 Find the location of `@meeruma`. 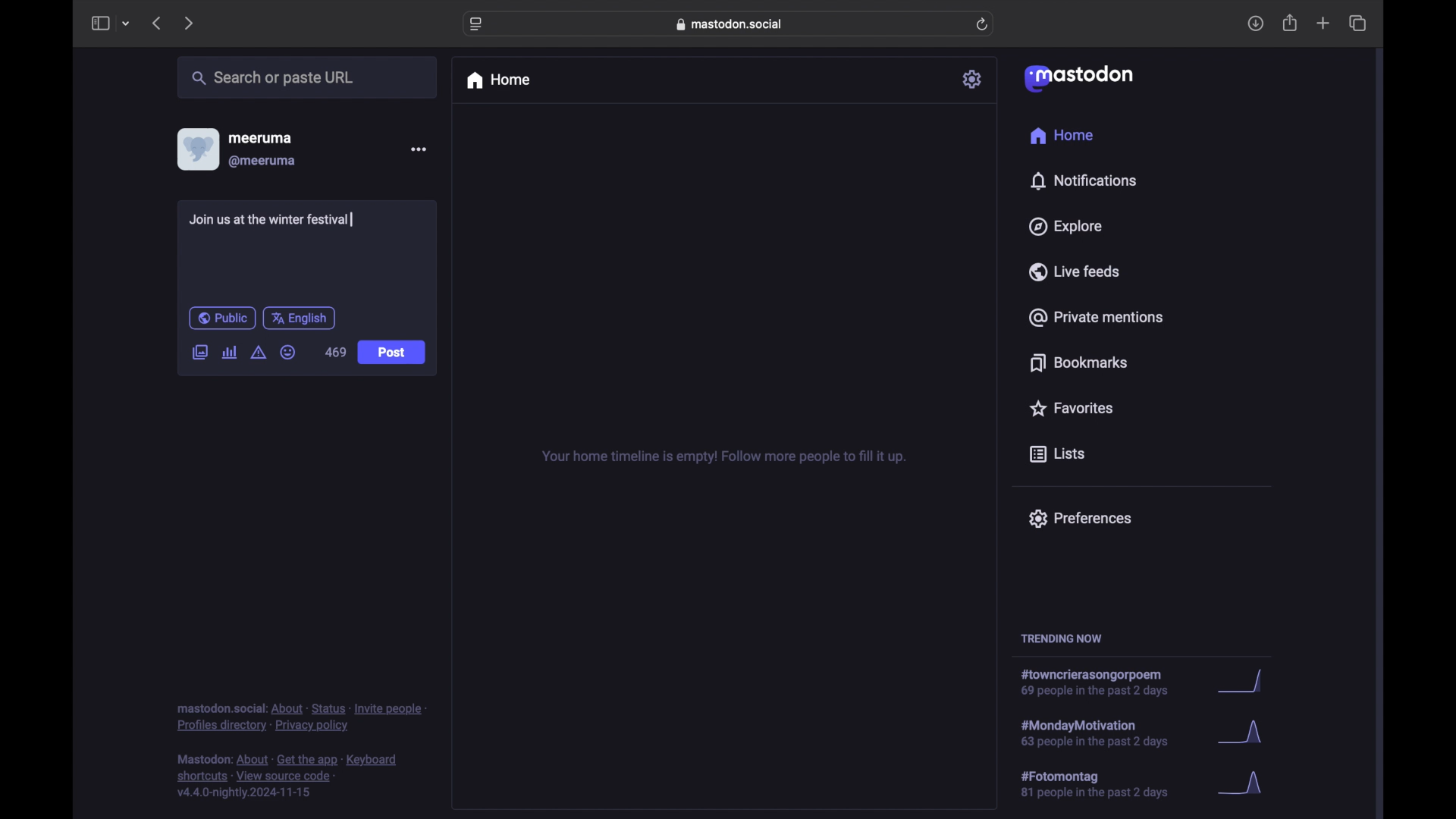

@meeruma is located at coordinates (262, 162).